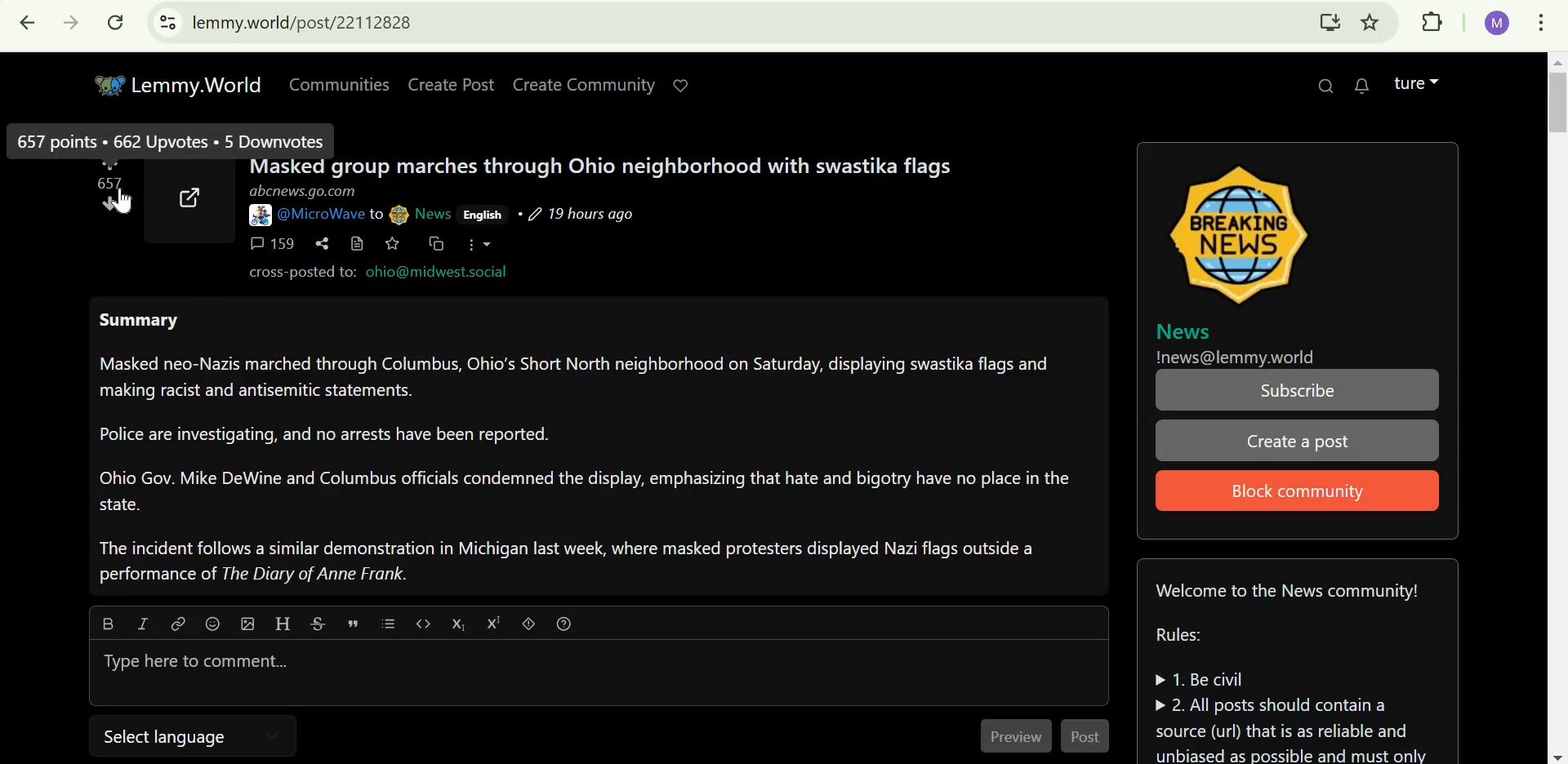  Describe the element at coordinates (394, 244) in the screenshot. I see `save` at that location.